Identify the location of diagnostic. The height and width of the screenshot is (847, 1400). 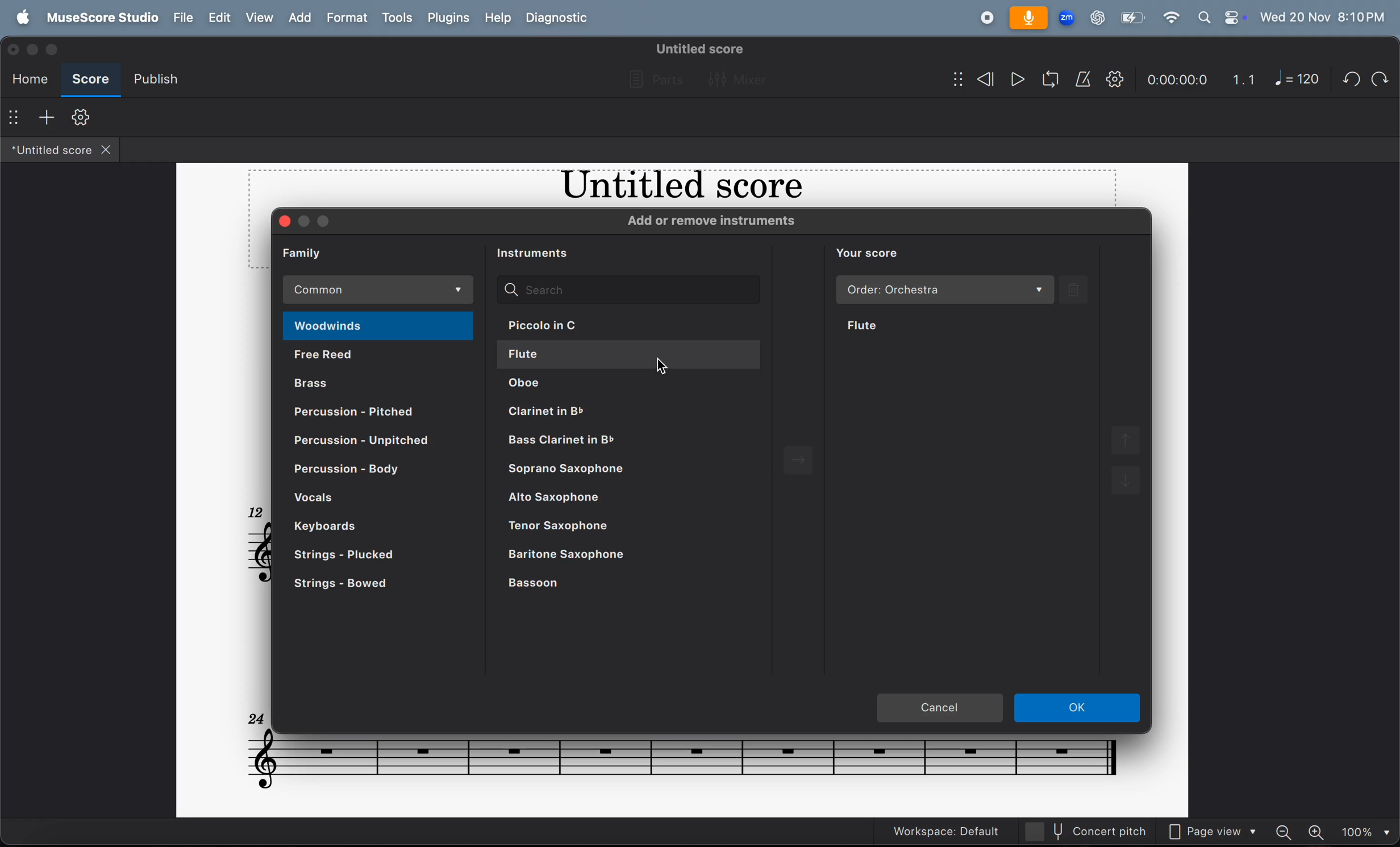
(559, 21).